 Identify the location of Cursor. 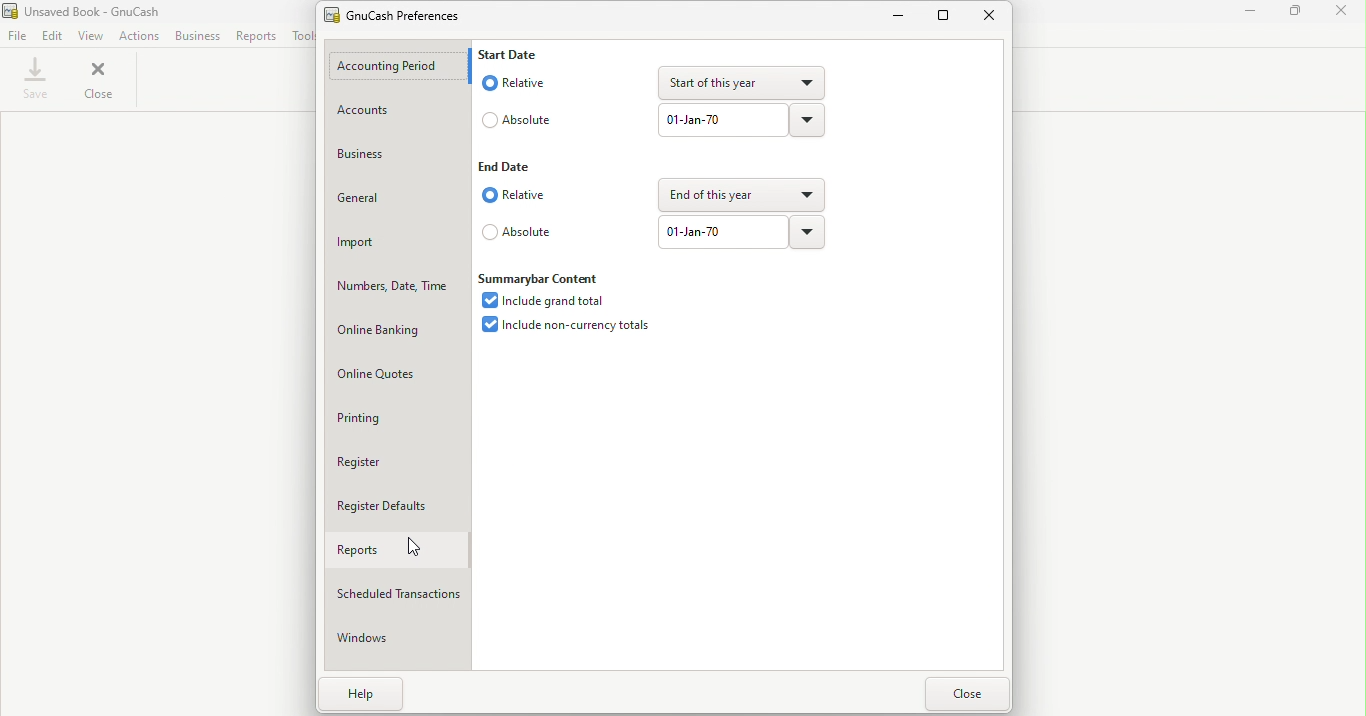
(415, 548).